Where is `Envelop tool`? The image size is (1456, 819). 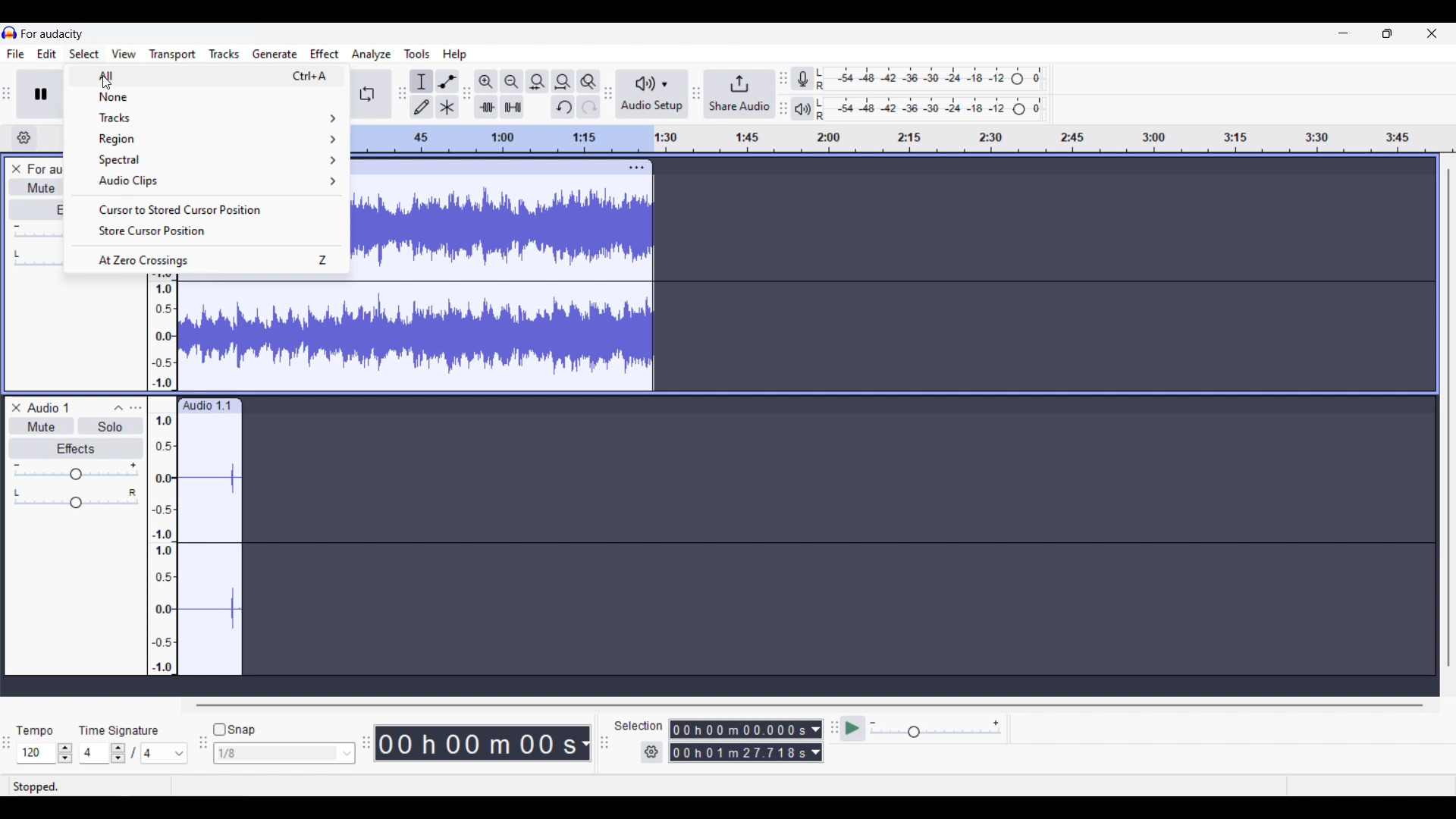
Envelop tool is located at coordinates (447, 81).